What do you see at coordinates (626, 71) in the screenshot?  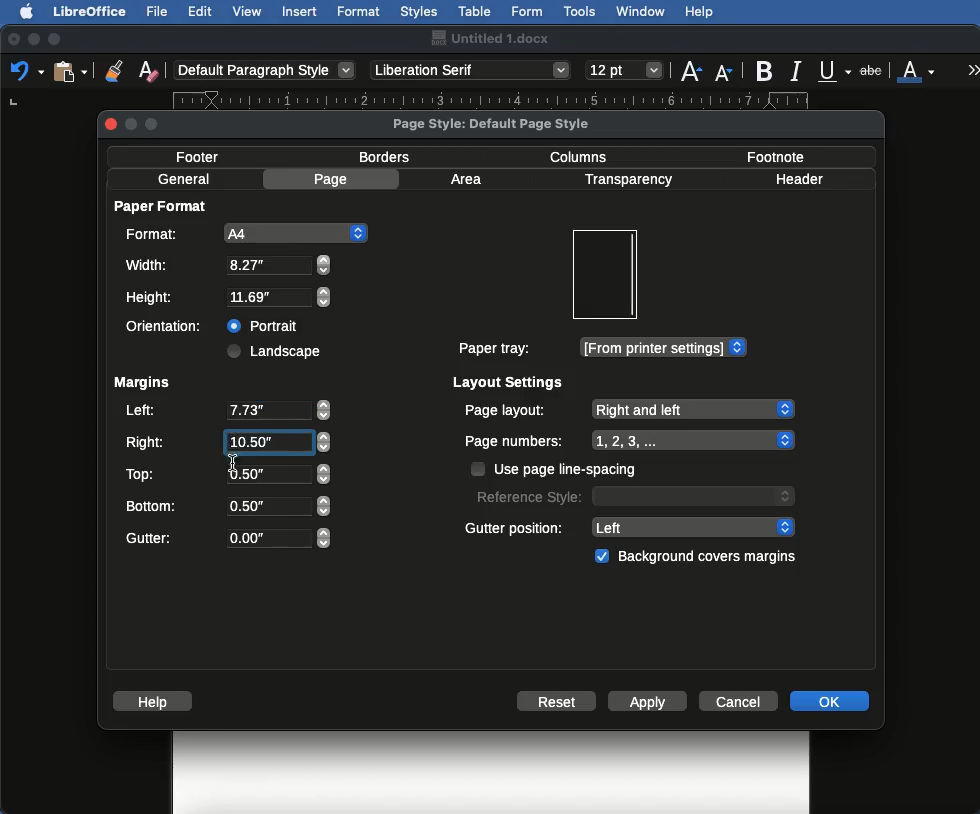 I see `Size` at bounding box center [626, 71].